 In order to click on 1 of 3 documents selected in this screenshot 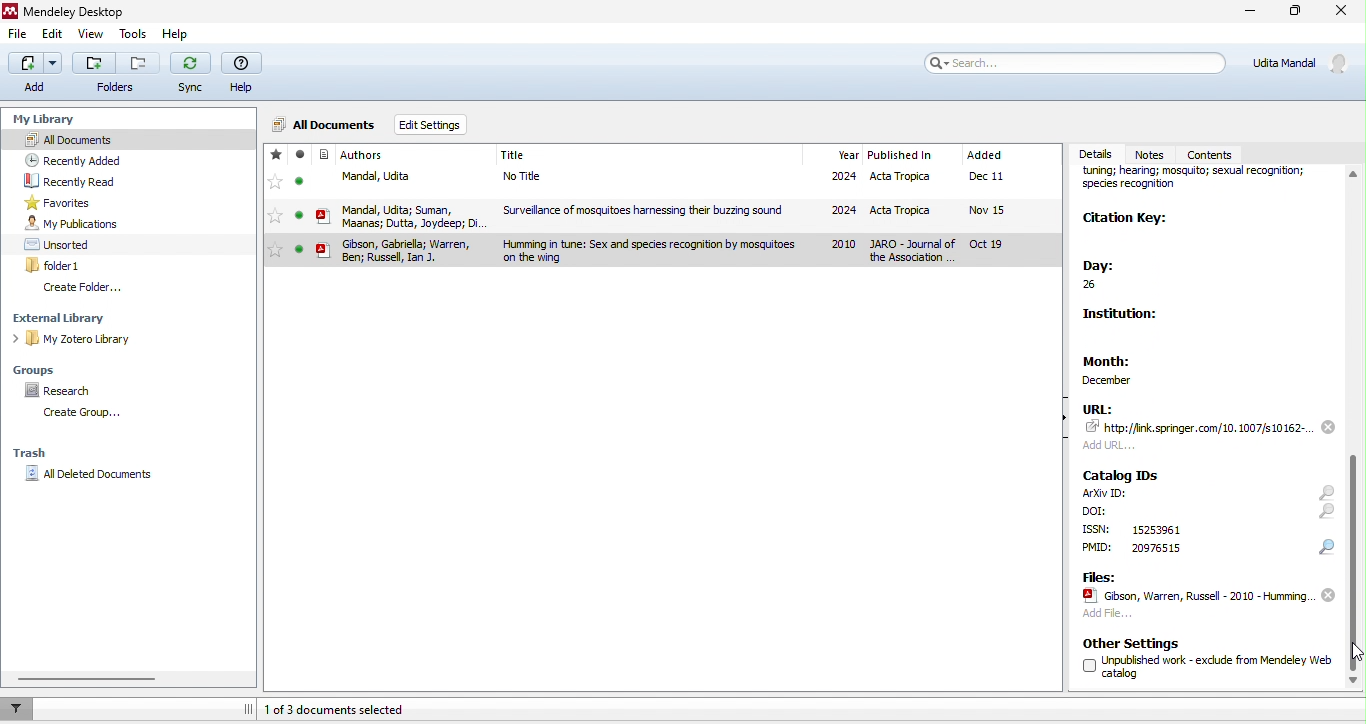, I will do `click(343, 709)`.